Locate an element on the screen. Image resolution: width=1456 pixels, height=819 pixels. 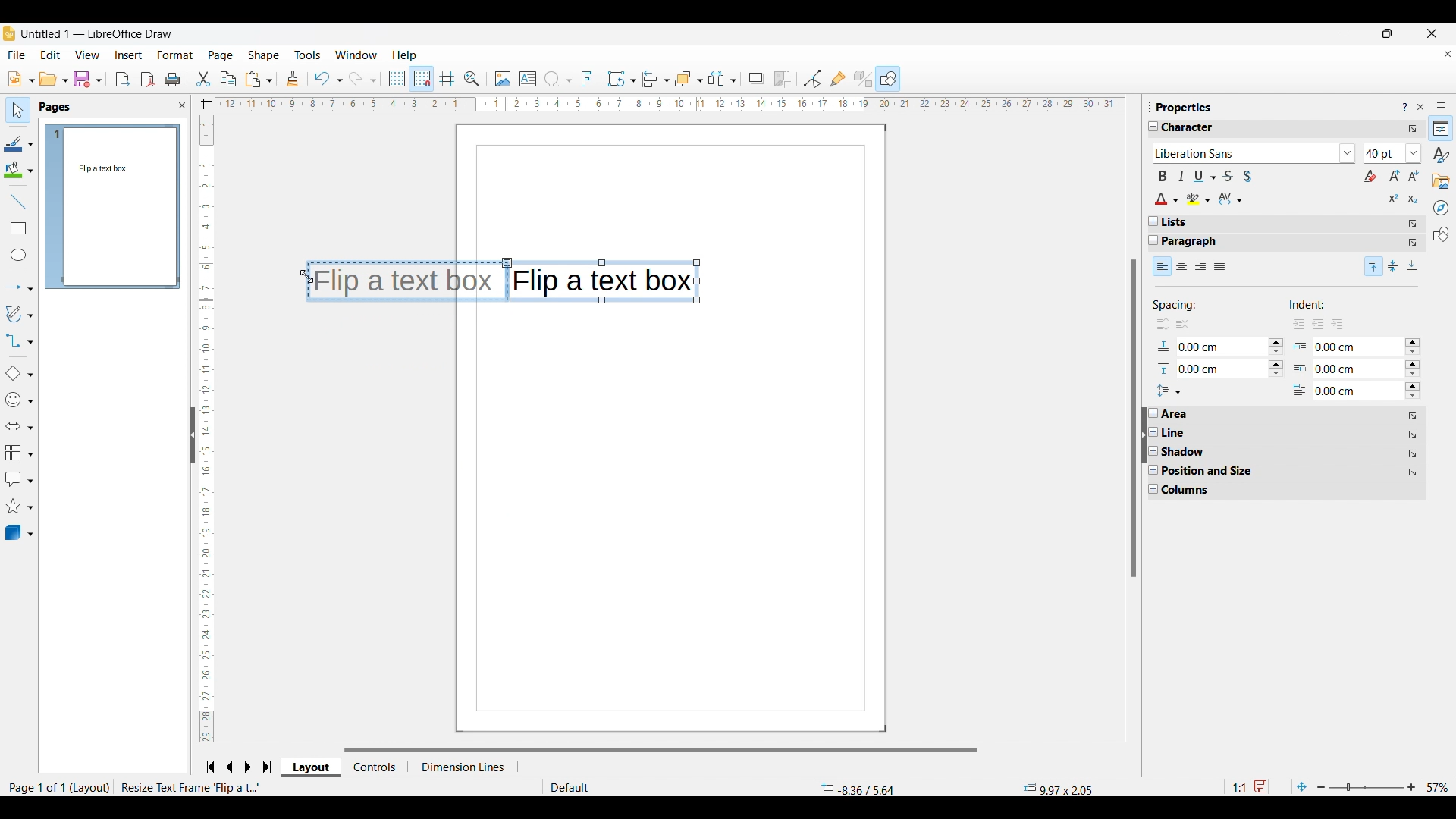
Column property is located at coordinates (1192, 491).